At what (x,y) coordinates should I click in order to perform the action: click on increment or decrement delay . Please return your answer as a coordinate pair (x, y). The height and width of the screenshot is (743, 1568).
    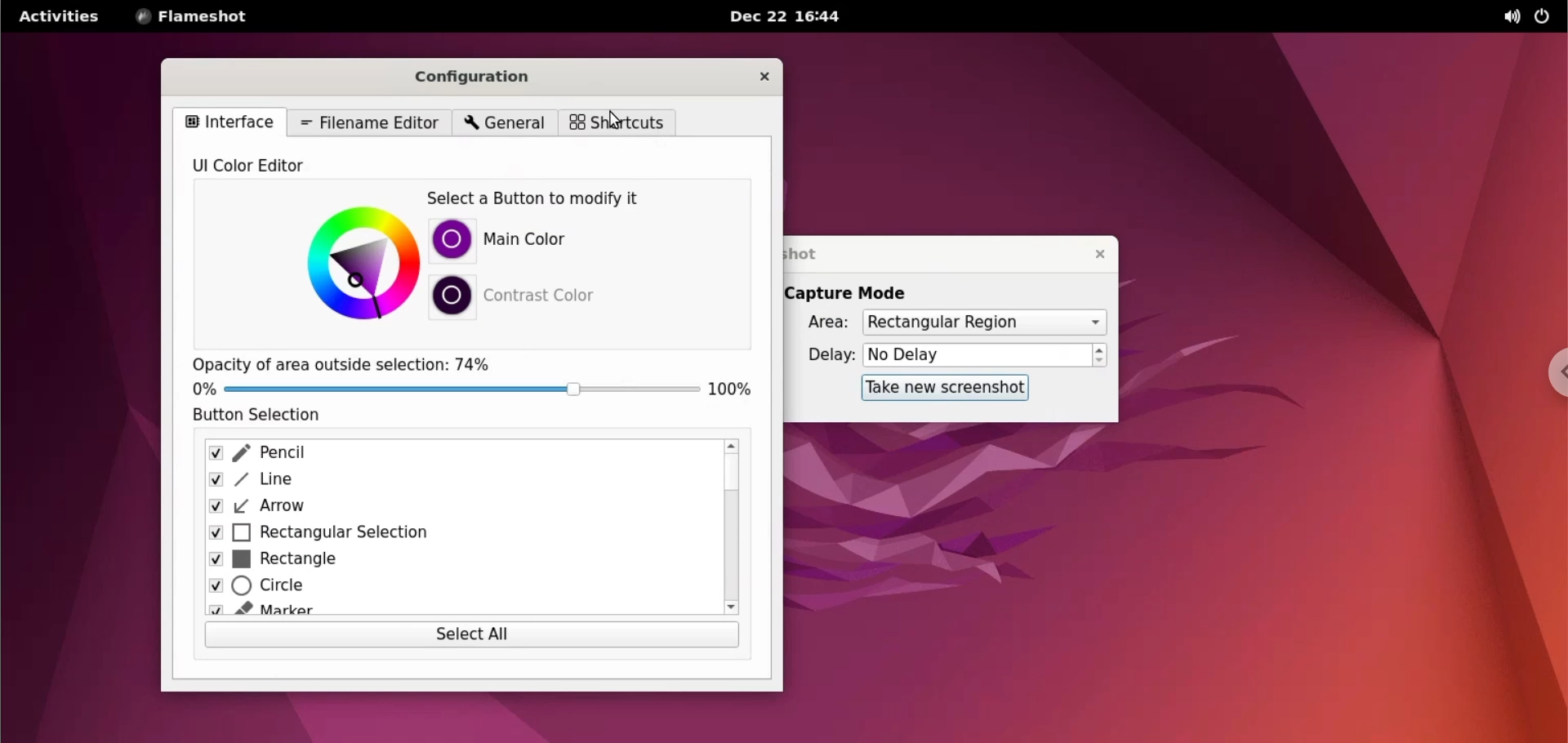
    Looking at the image, I should click on (1100, 355).